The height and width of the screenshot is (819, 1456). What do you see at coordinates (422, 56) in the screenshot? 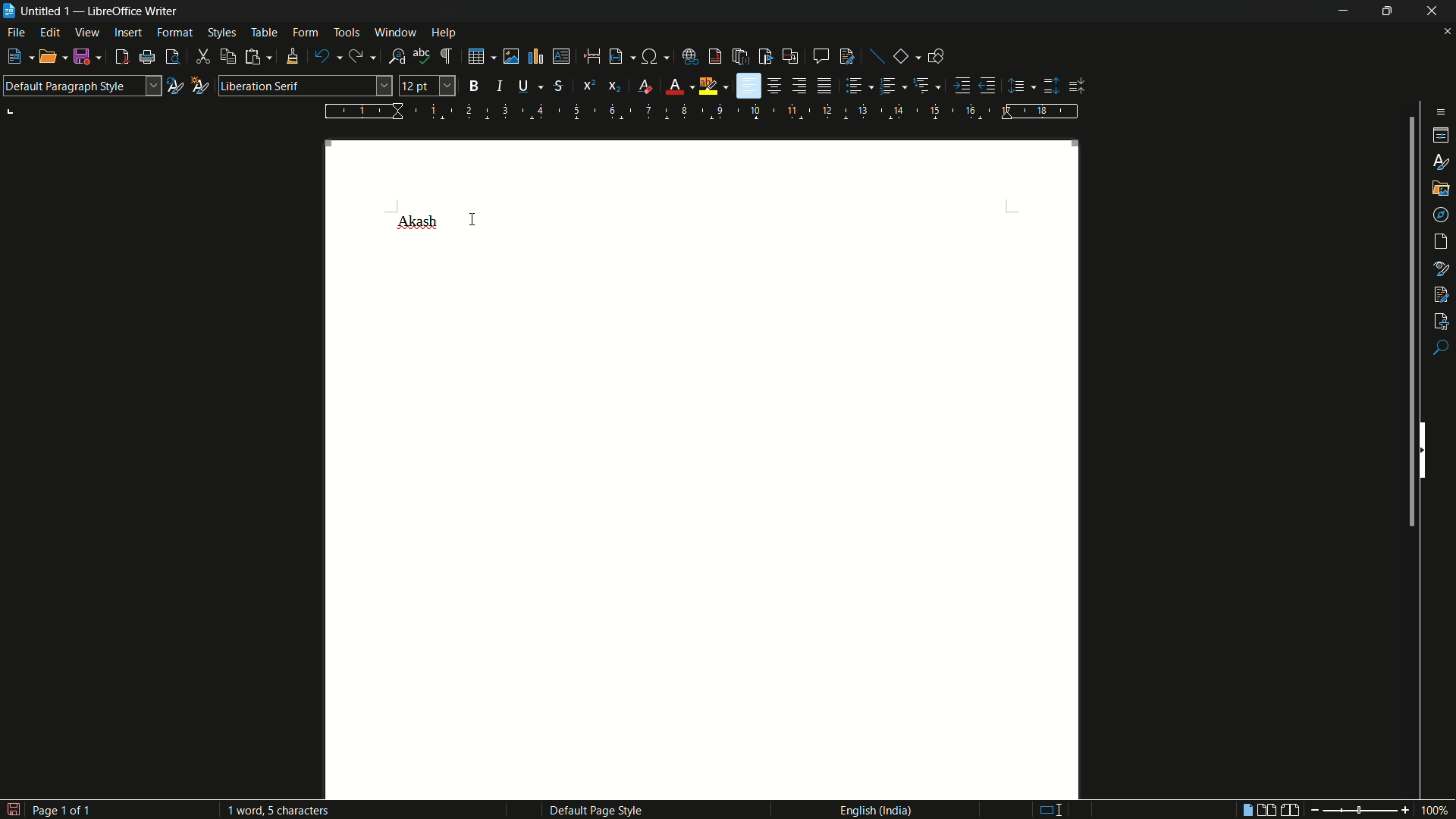
I see `check spelling` at bounding box center [422, 56].